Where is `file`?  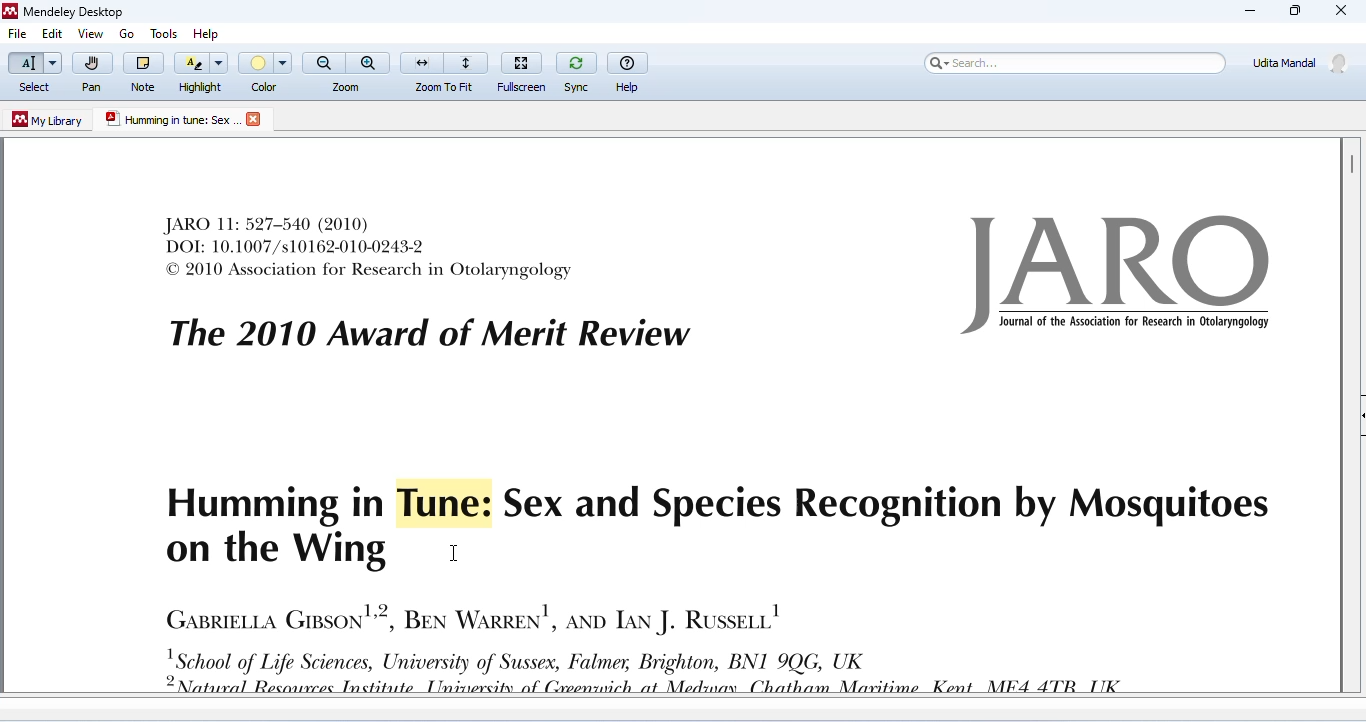 file is located at coordinates (18, 35).